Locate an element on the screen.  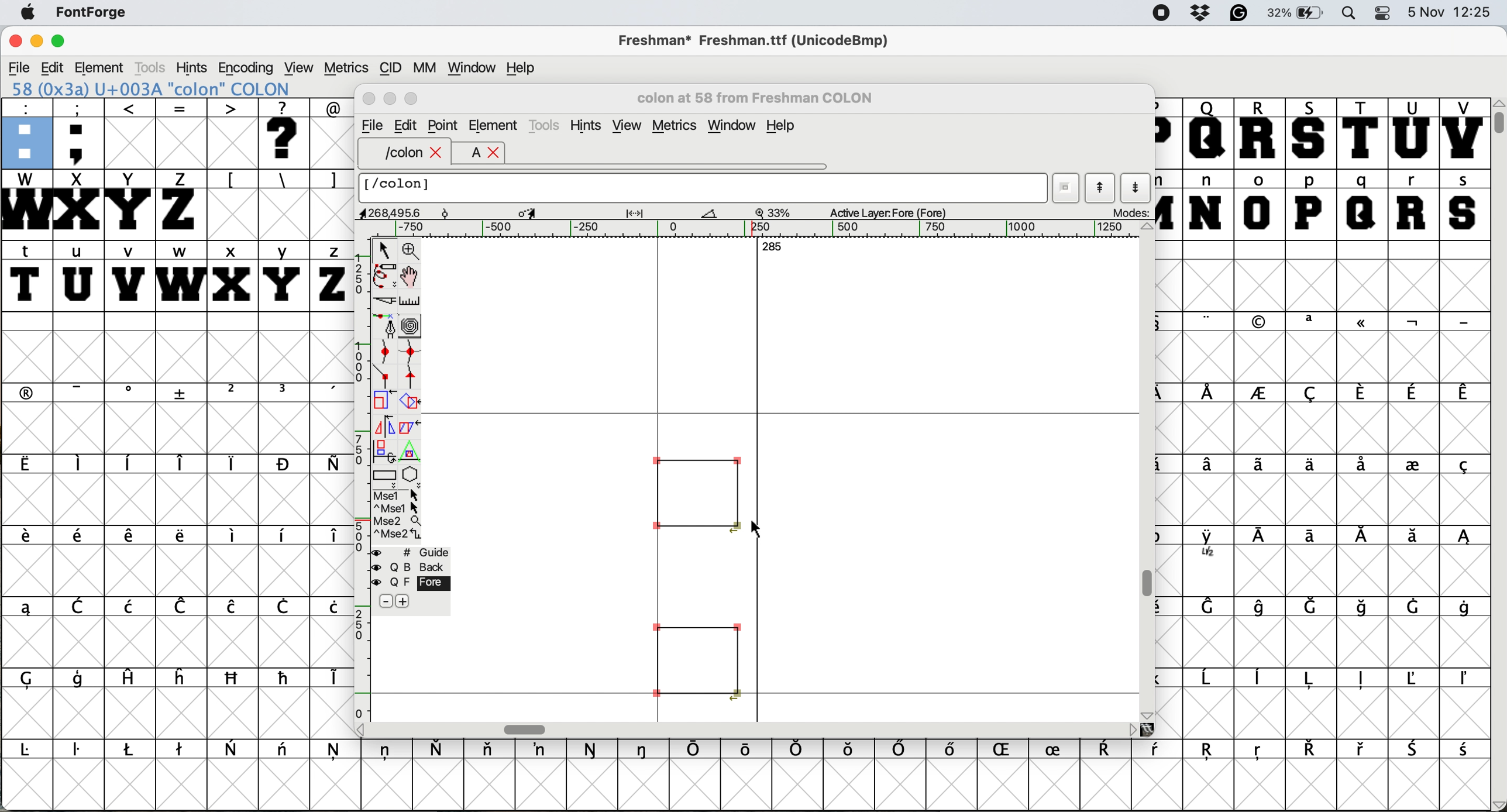
[ is located at coordinates (232, 180).